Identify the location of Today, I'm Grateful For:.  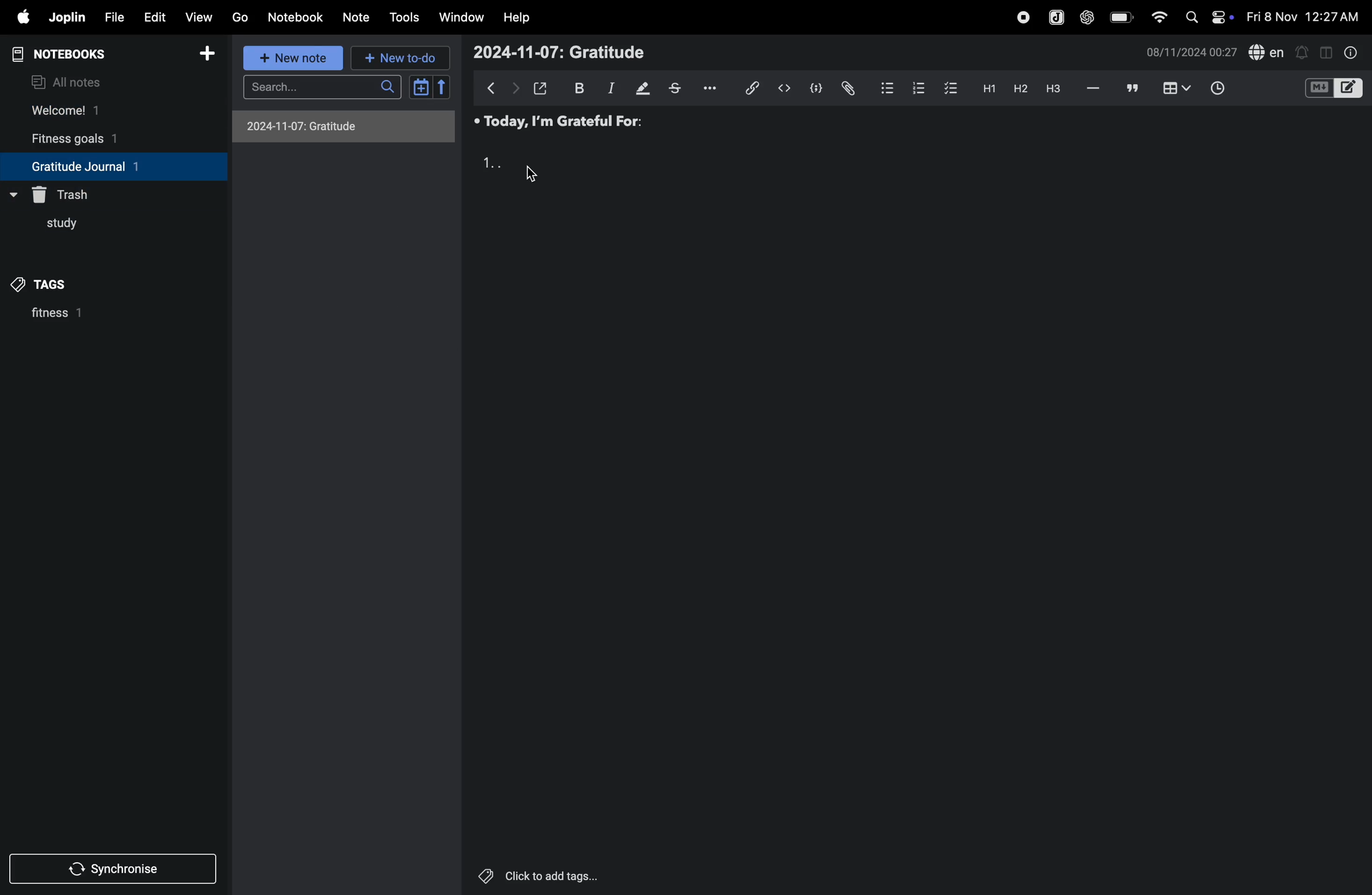
(560, 120).